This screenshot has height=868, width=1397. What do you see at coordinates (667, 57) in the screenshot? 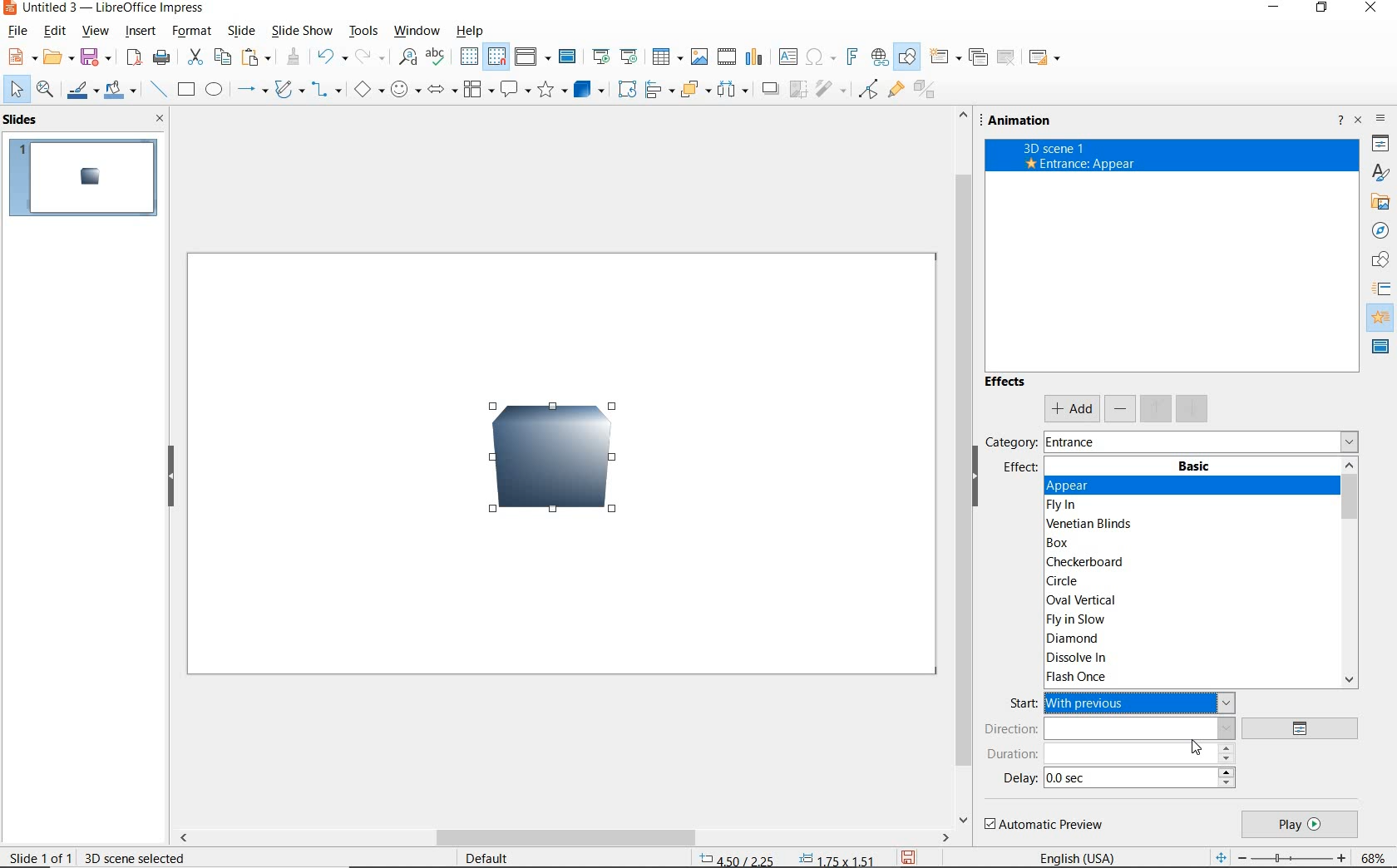
I see `insert table` at bounding box center [667, 57].